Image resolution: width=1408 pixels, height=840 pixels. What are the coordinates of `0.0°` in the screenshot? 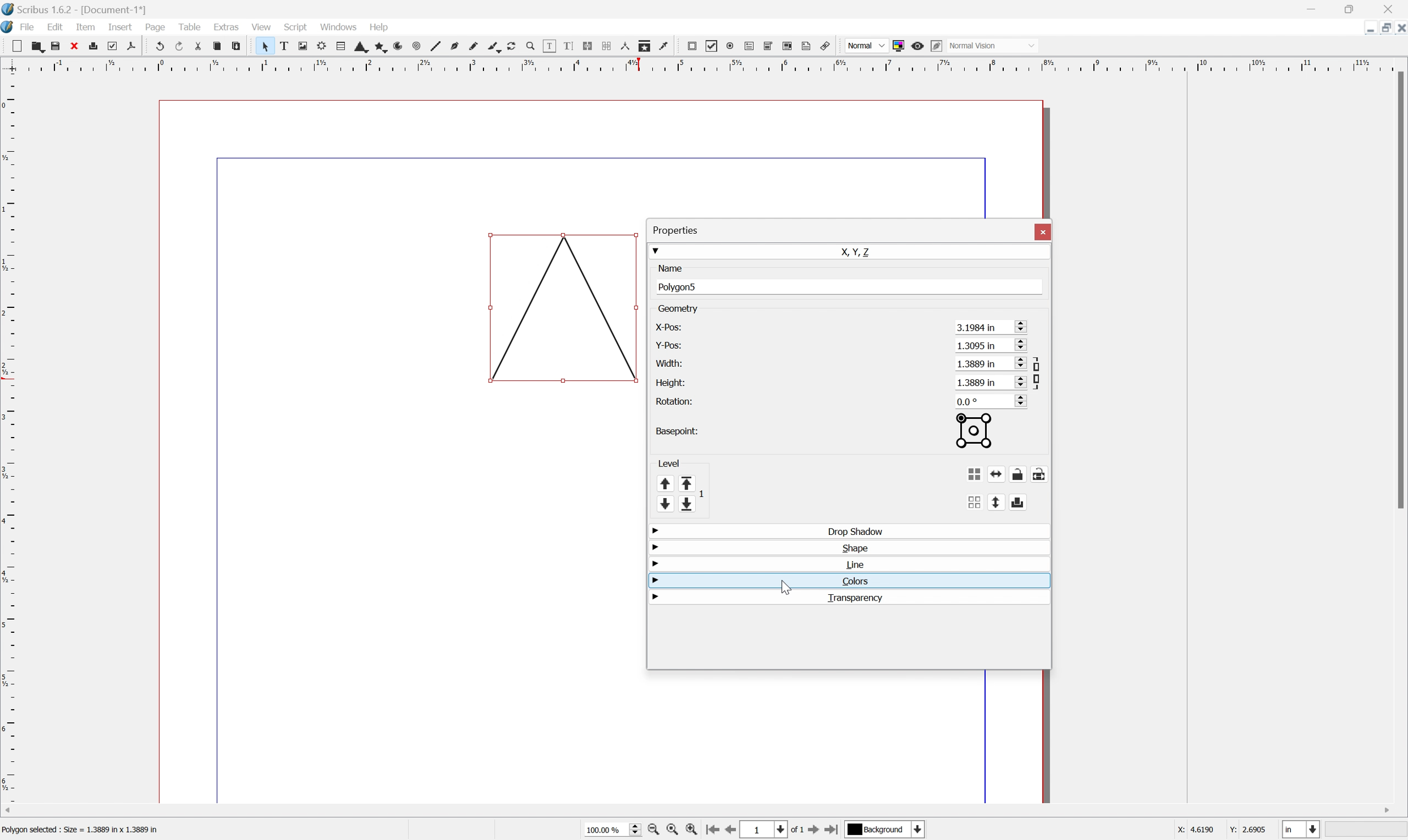 It's located at (970, 401).